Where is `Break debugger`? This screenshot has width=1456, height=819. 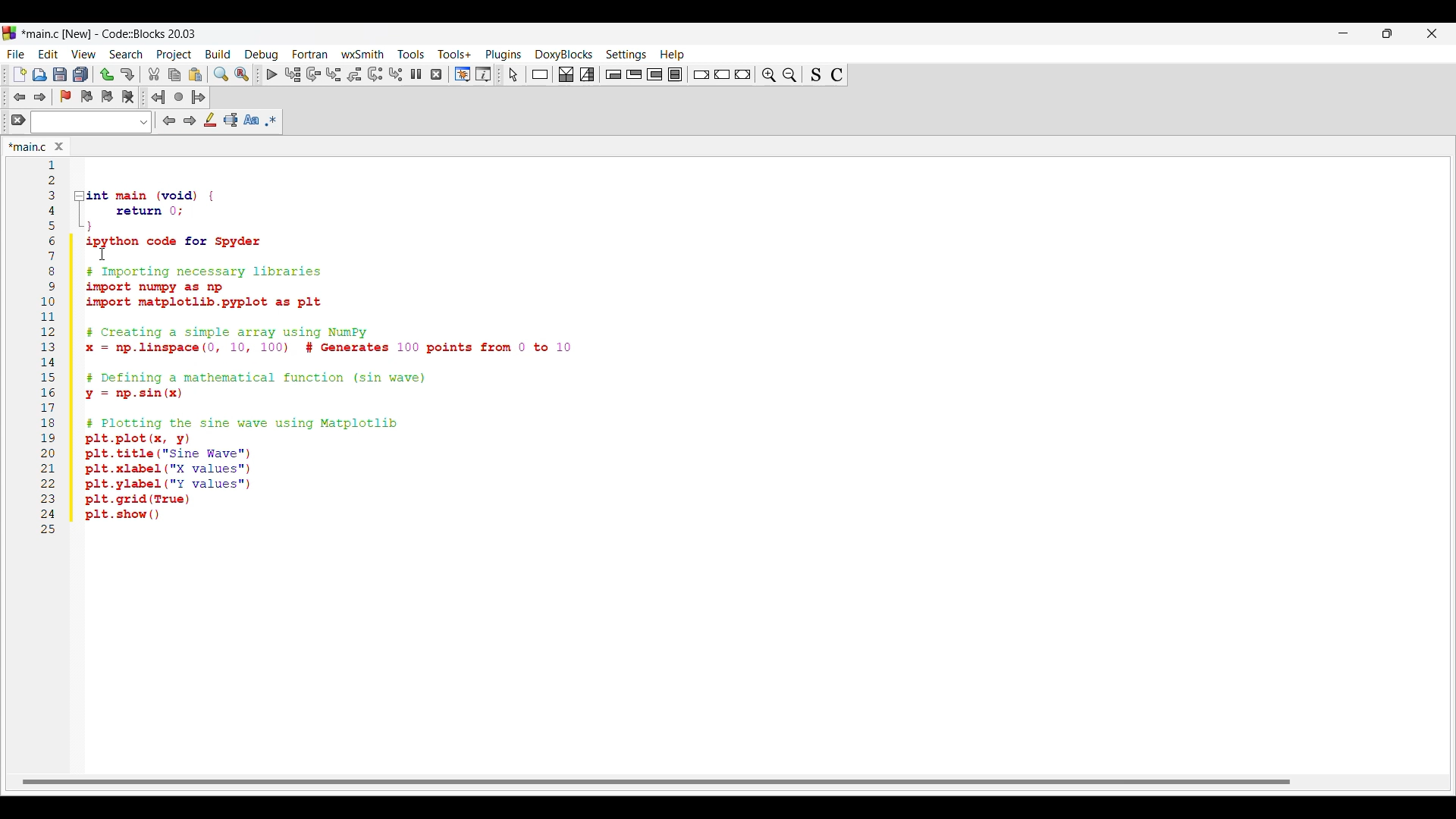 Break debugger is located at coordinates (416, 74).